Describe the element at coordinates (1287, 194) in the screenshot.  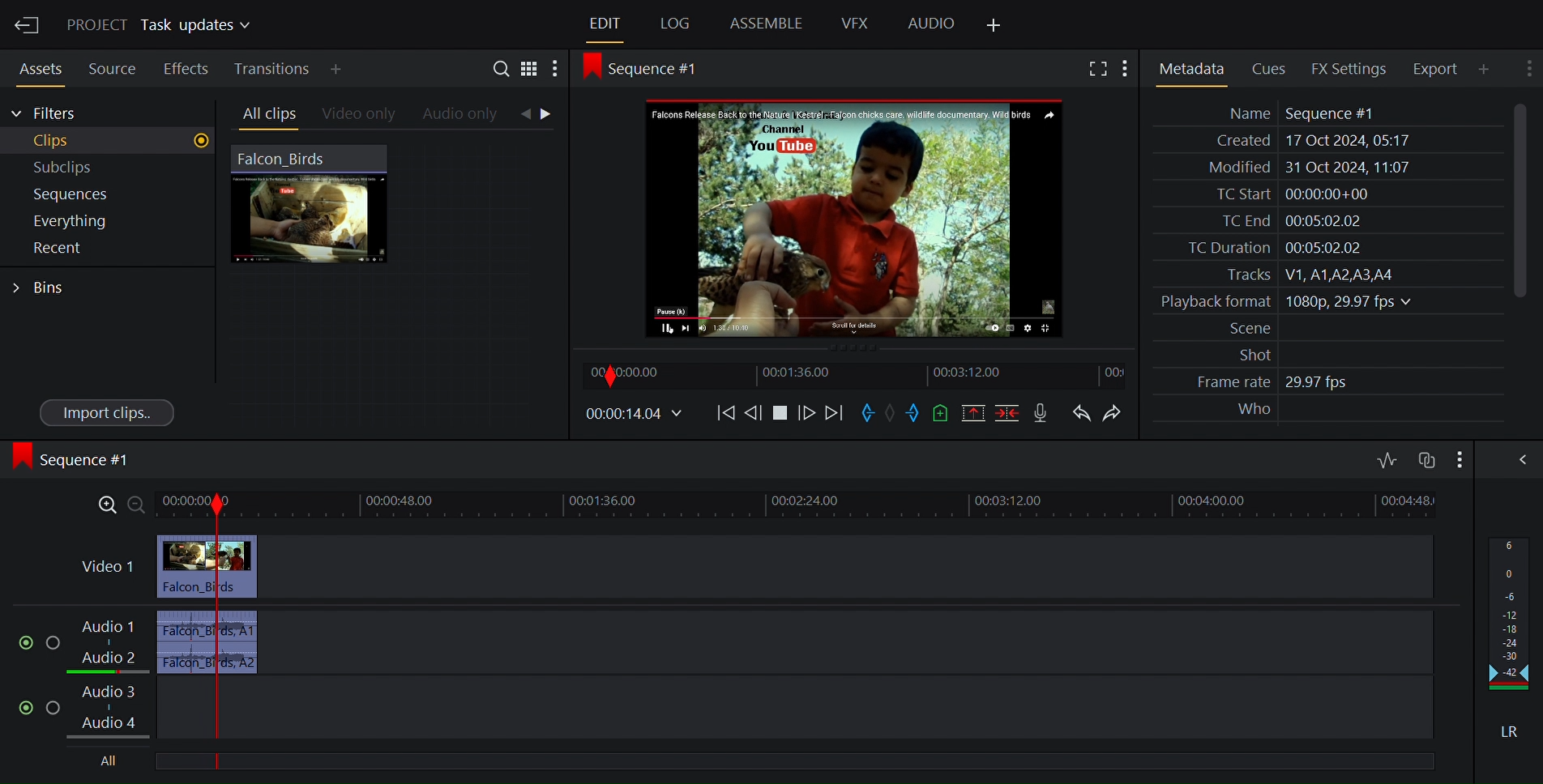
I see `TC Start 00:00:00+00` at that location.